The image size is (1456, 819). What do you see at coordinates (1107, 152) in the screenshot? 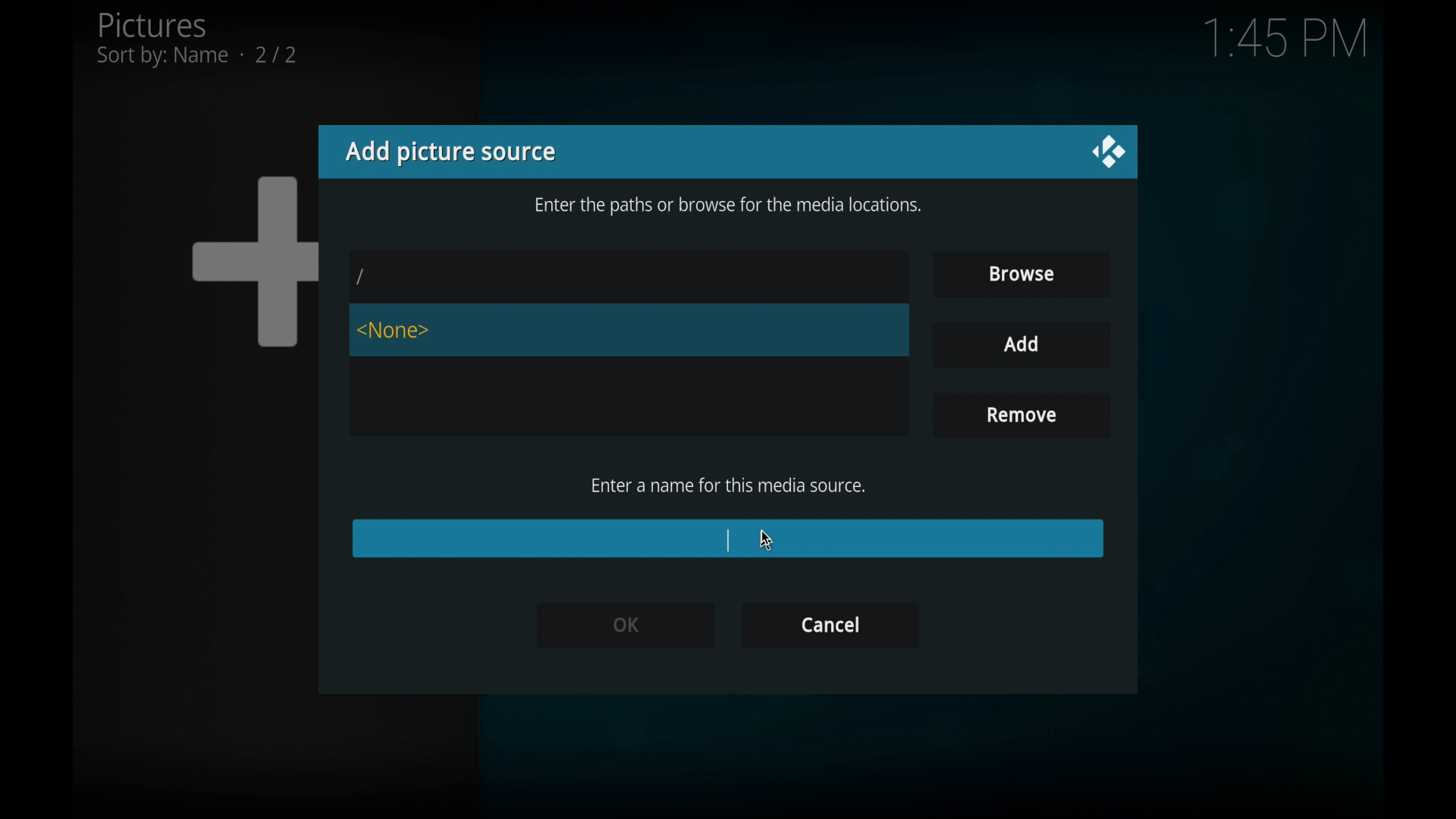
I see `close` at bounding box center [1107, 152].